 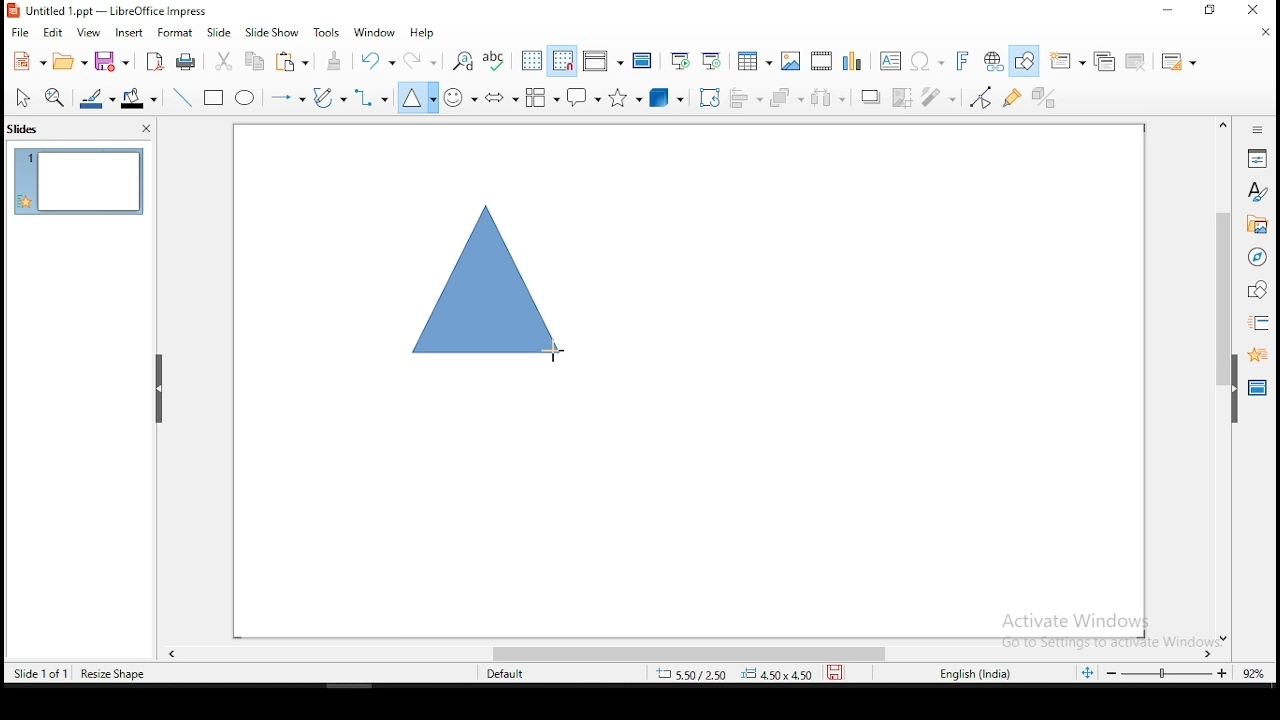 I want to click on new slide, so click(x=1069, y=60).